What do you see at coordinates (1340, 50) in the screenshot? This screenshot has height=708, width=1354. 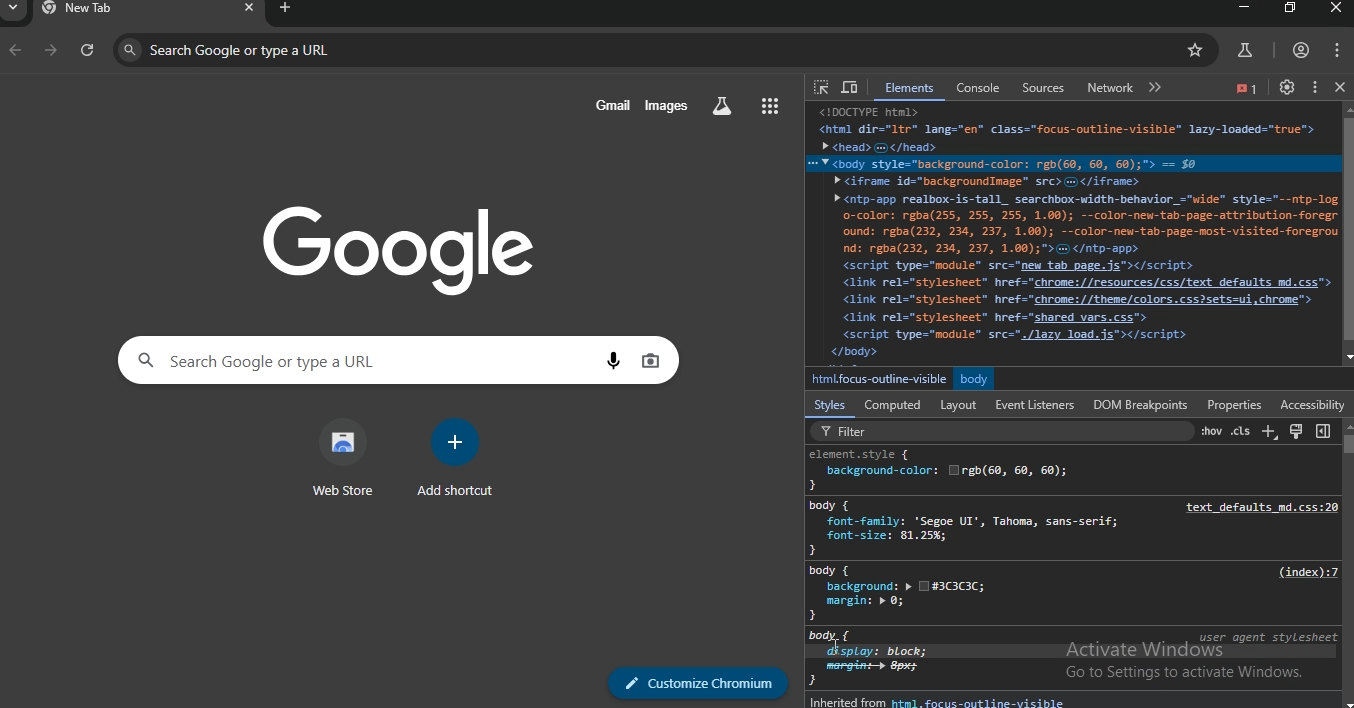 I see `manage account settings` at bounding box center [1340, 50].